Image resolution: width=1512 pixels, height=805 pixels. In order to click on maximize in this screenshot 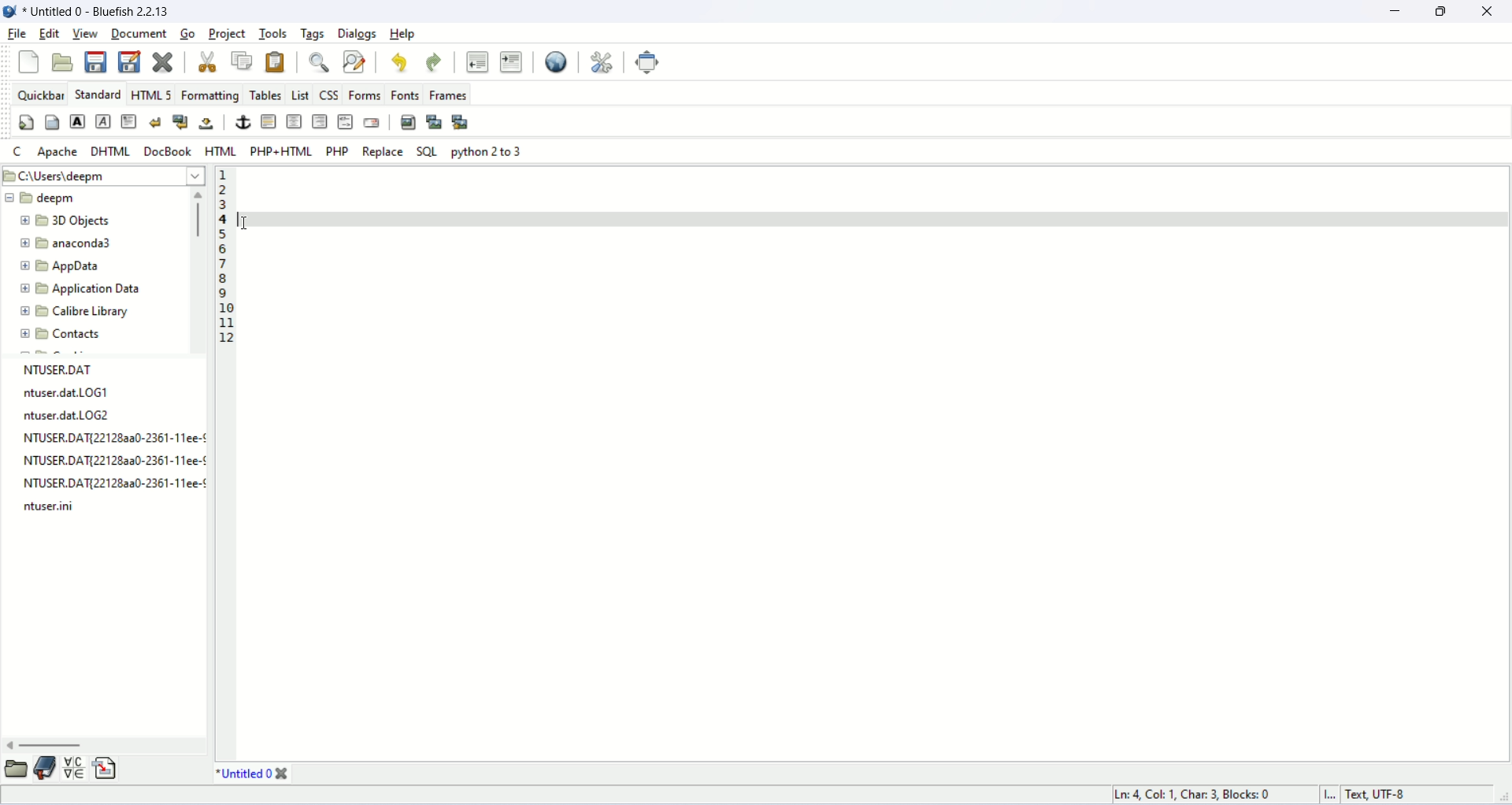, I will do `click(1443, 11)`.